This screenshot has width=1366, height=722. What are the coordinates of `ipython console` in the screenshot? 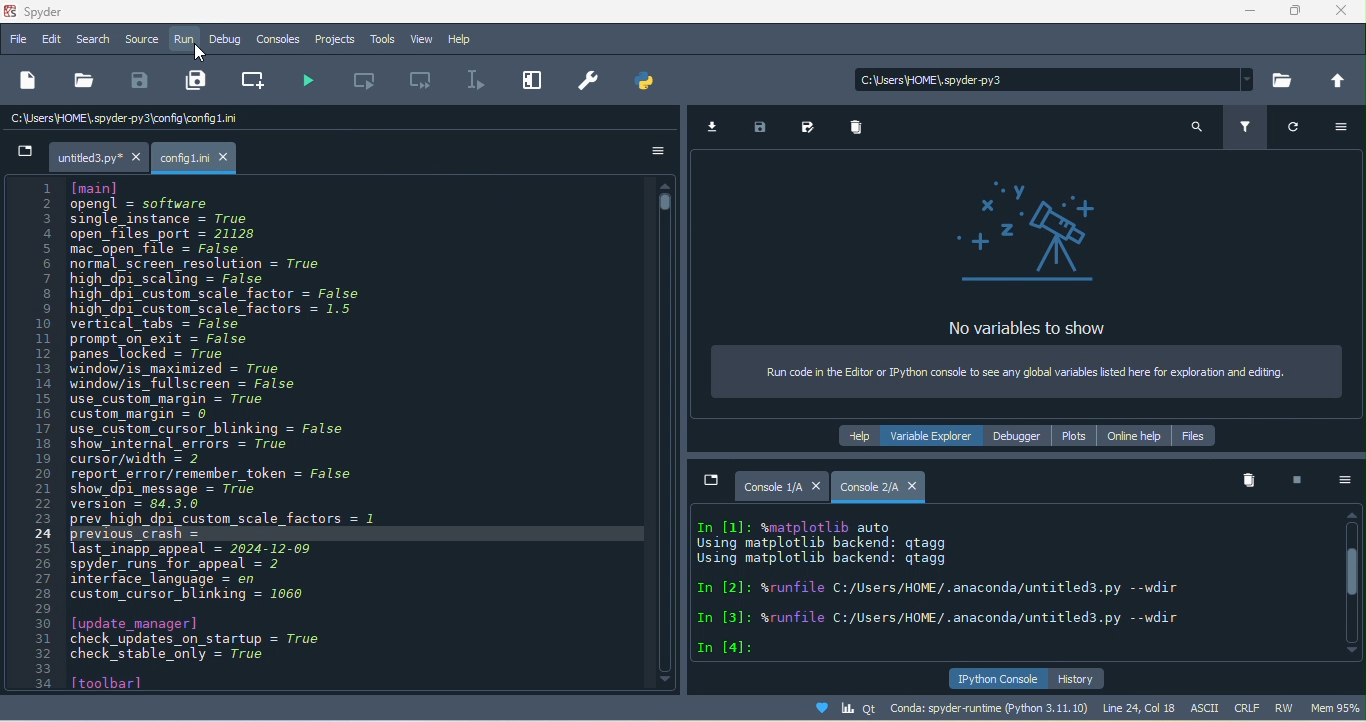 It's located at (999, 680).